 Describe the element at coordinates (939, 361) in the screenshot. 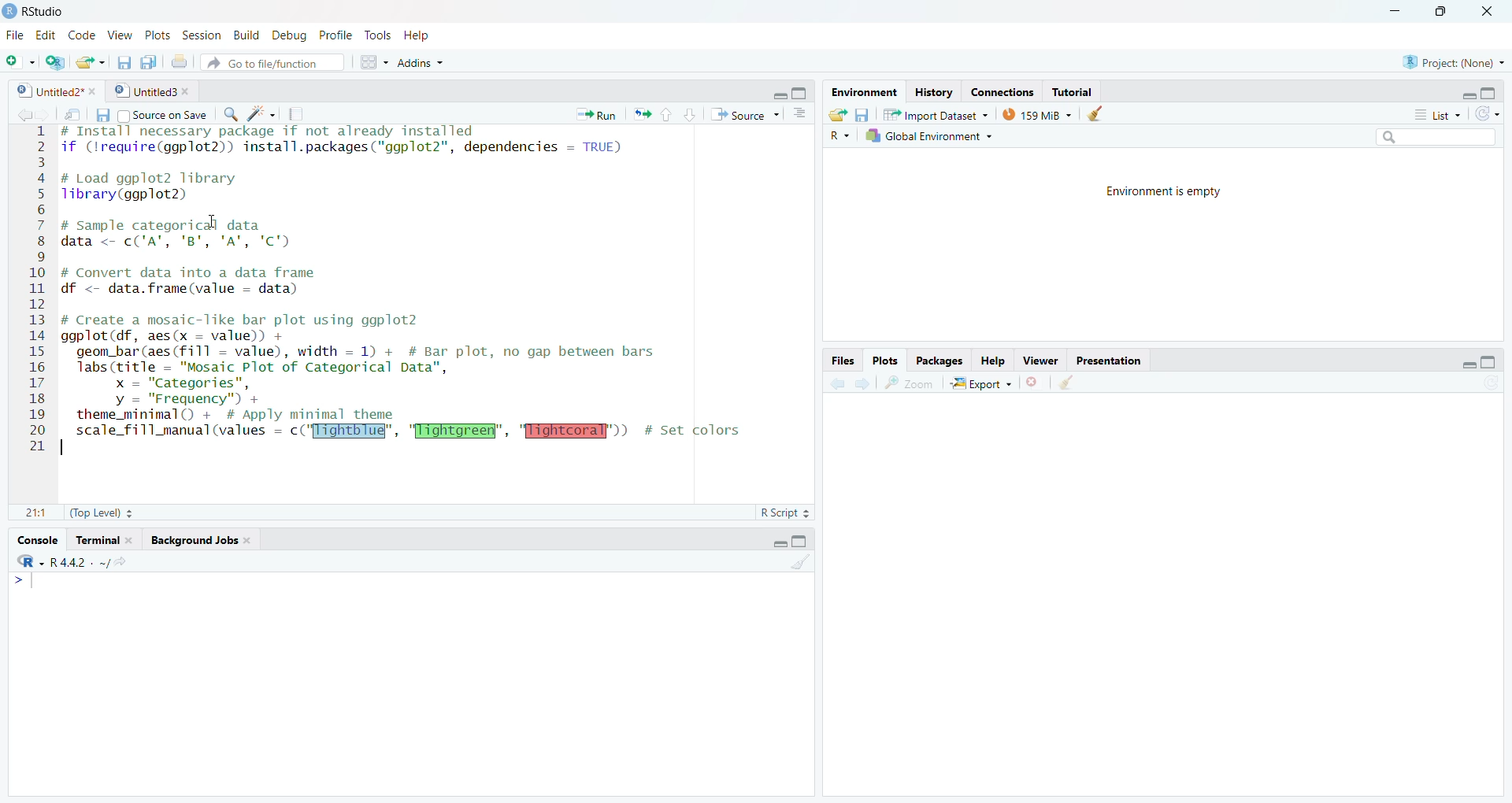

I see `Packages` at that location.